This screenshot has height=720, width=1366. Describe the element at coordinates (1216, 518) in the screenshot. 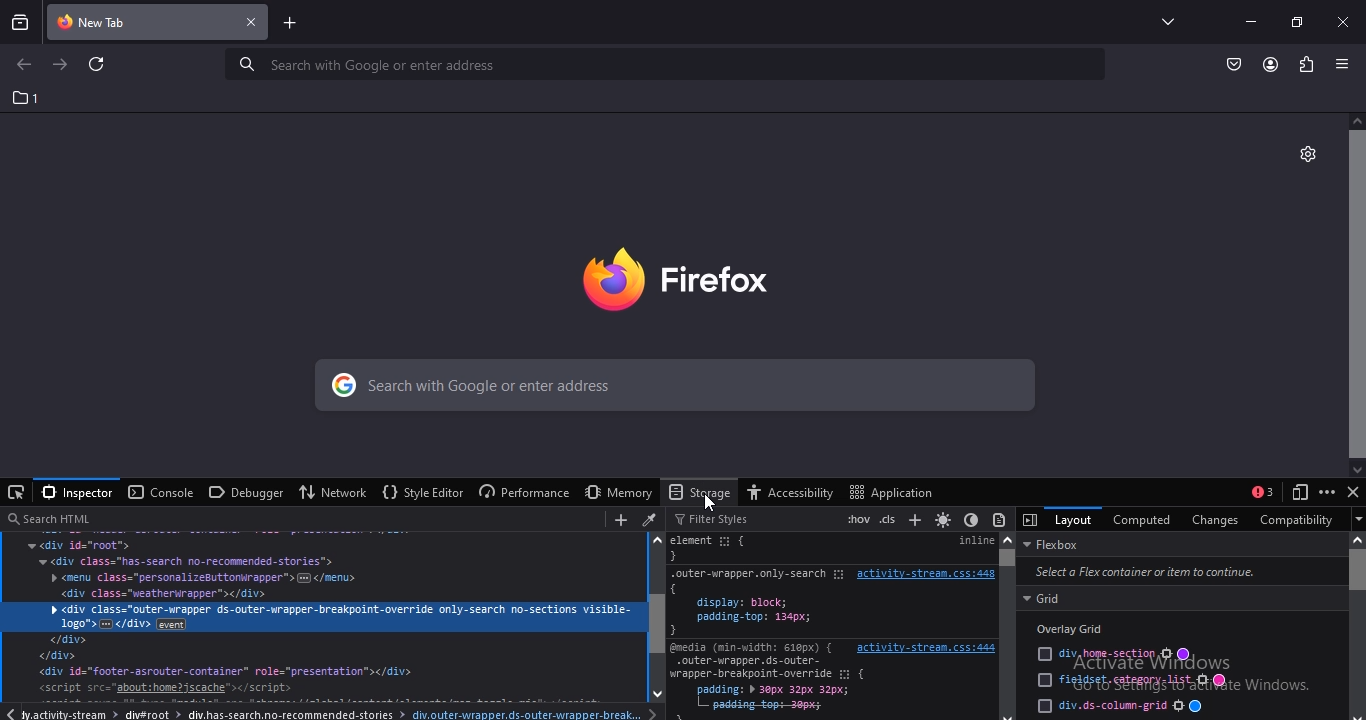

I see `changes` at that location.